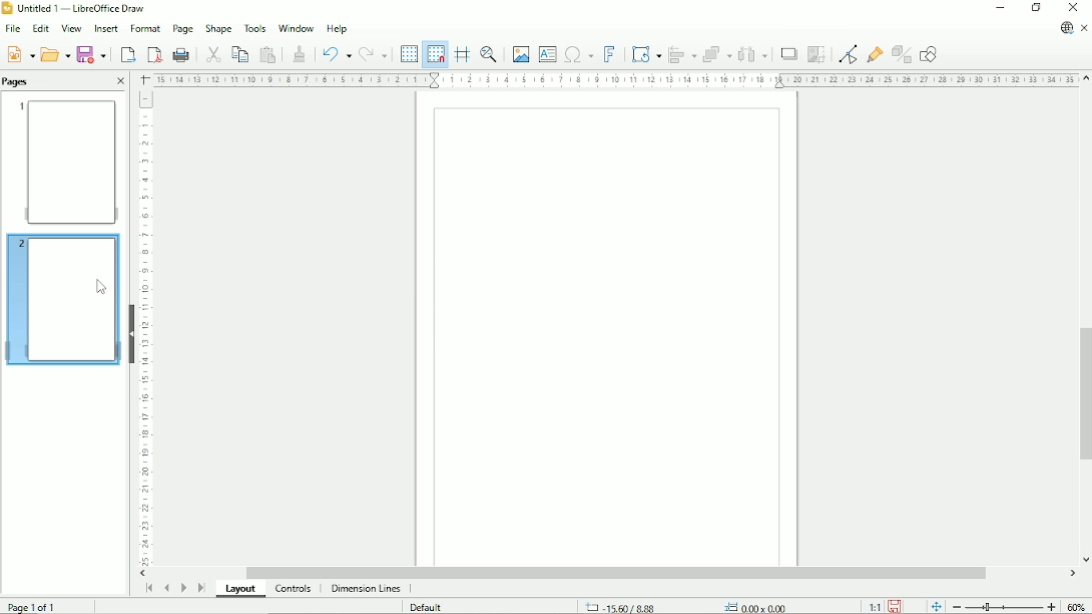  Describe the element at coordinates (33, 605) in the screenshot. I see `Page 1 of 1` at that location.